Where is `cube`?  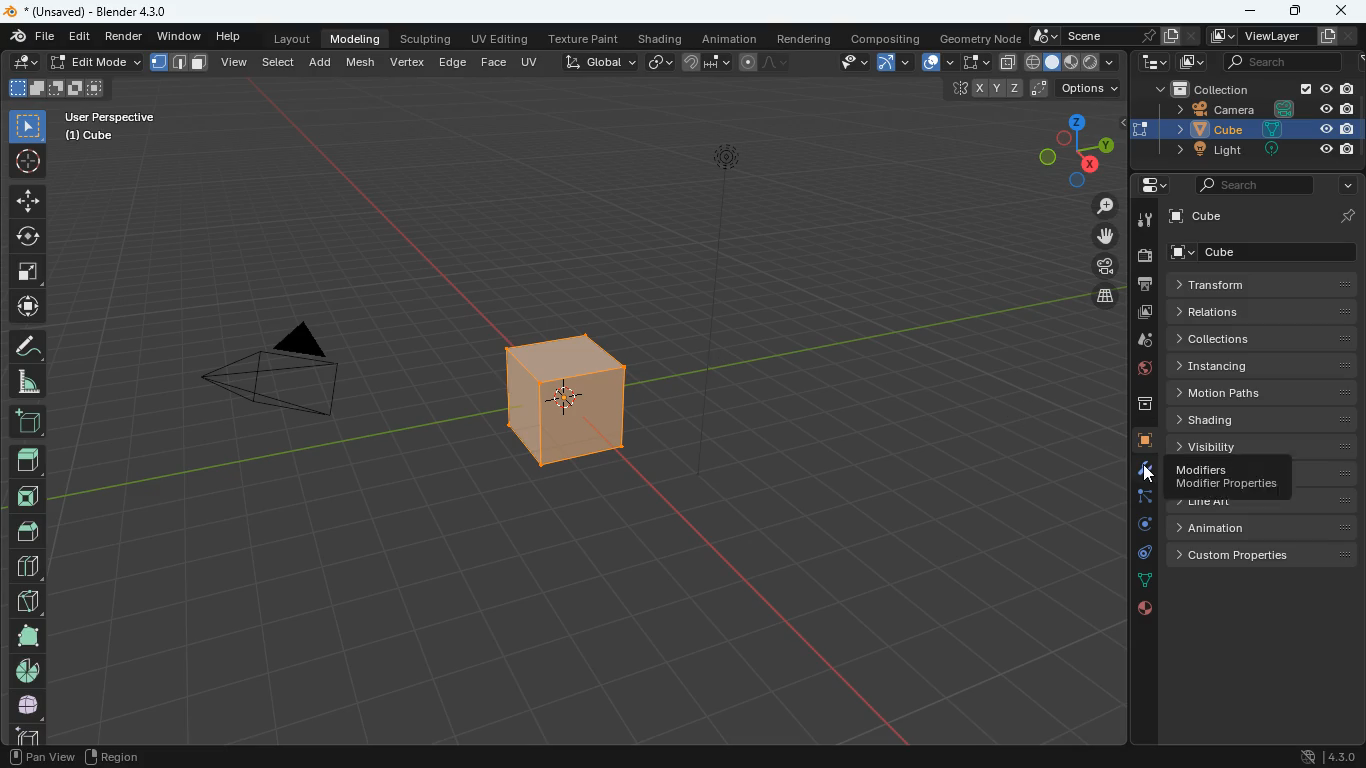
cube is located at coordinates (1269, 252).